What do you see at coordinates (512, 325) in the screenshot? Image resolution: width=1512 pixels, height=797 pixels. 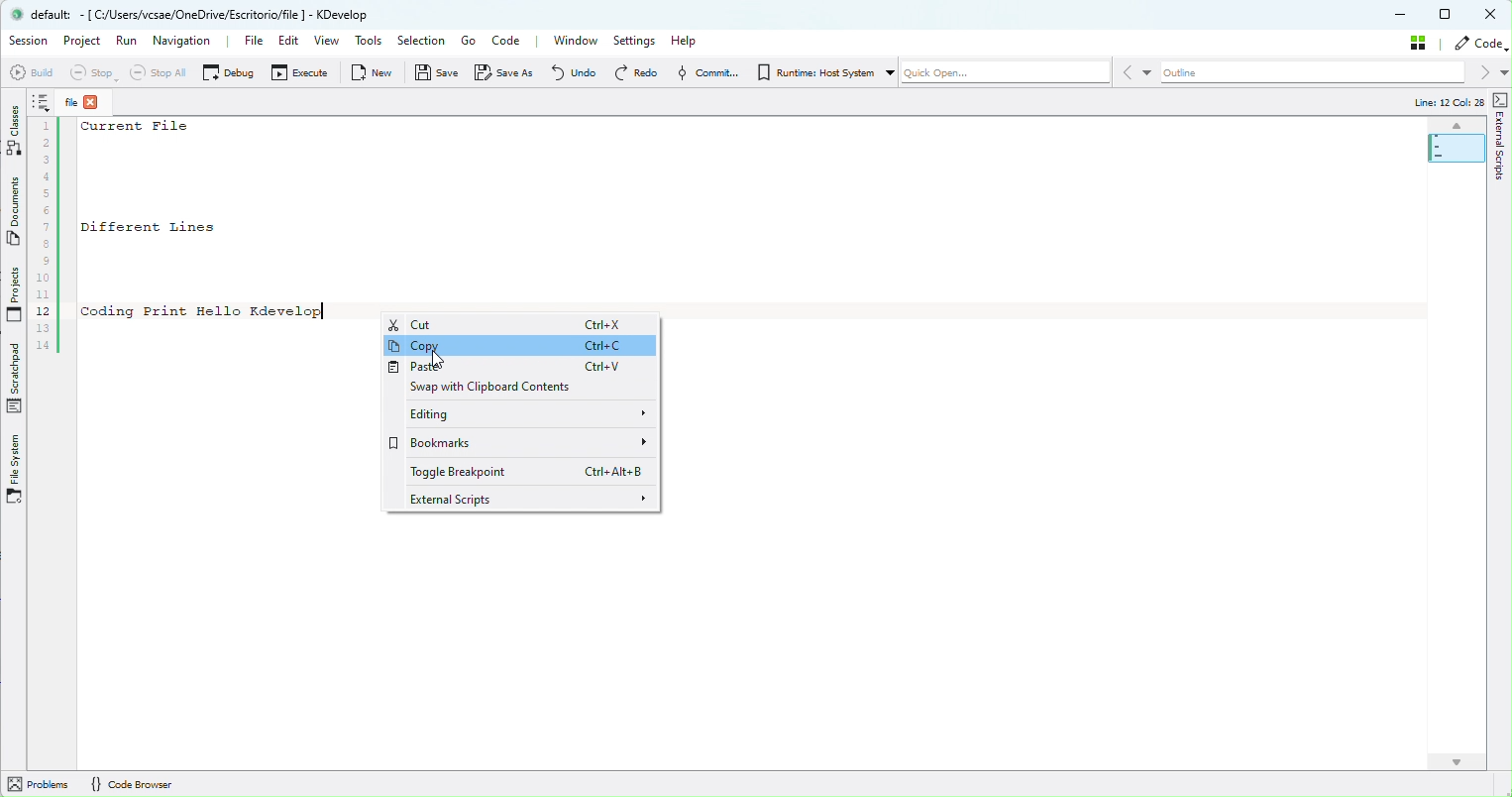 I see `Cut` at bounding box center [512, 325].